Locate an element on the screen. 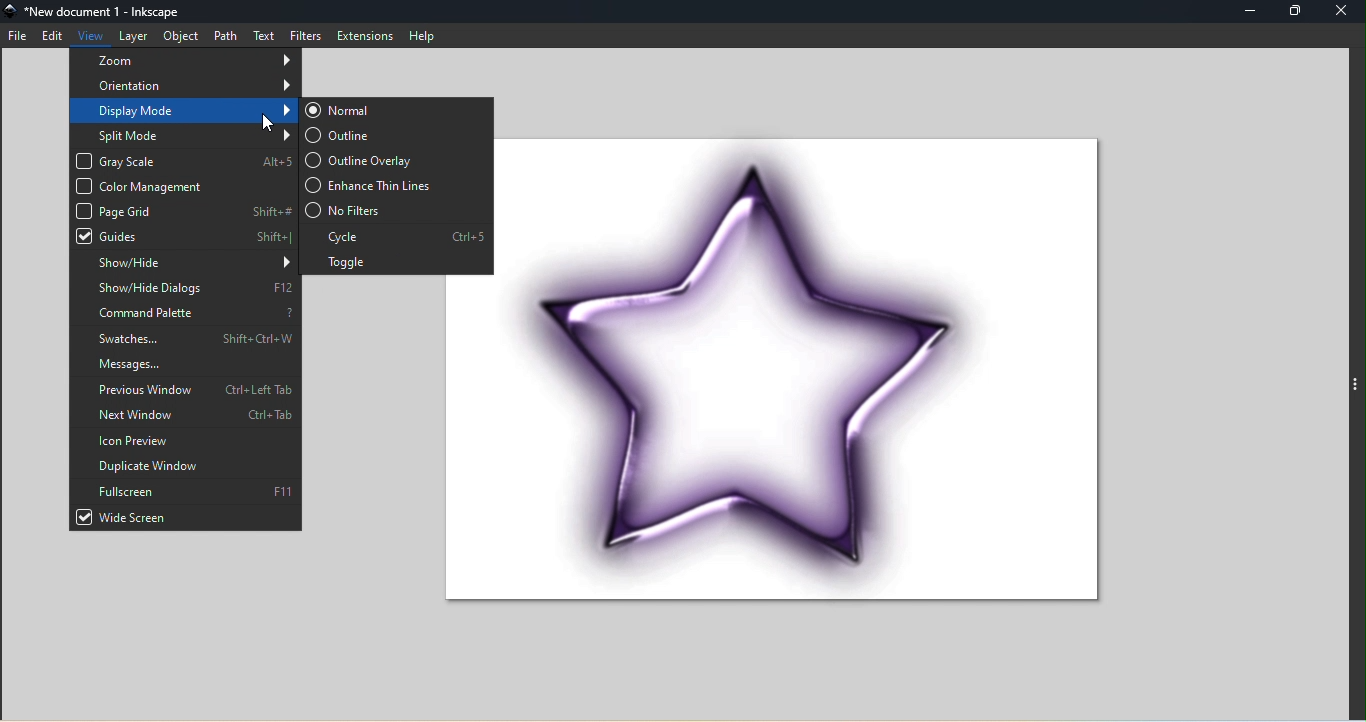 This screenshot has width=1366, height=722. help is located at coordinates (426, 35).